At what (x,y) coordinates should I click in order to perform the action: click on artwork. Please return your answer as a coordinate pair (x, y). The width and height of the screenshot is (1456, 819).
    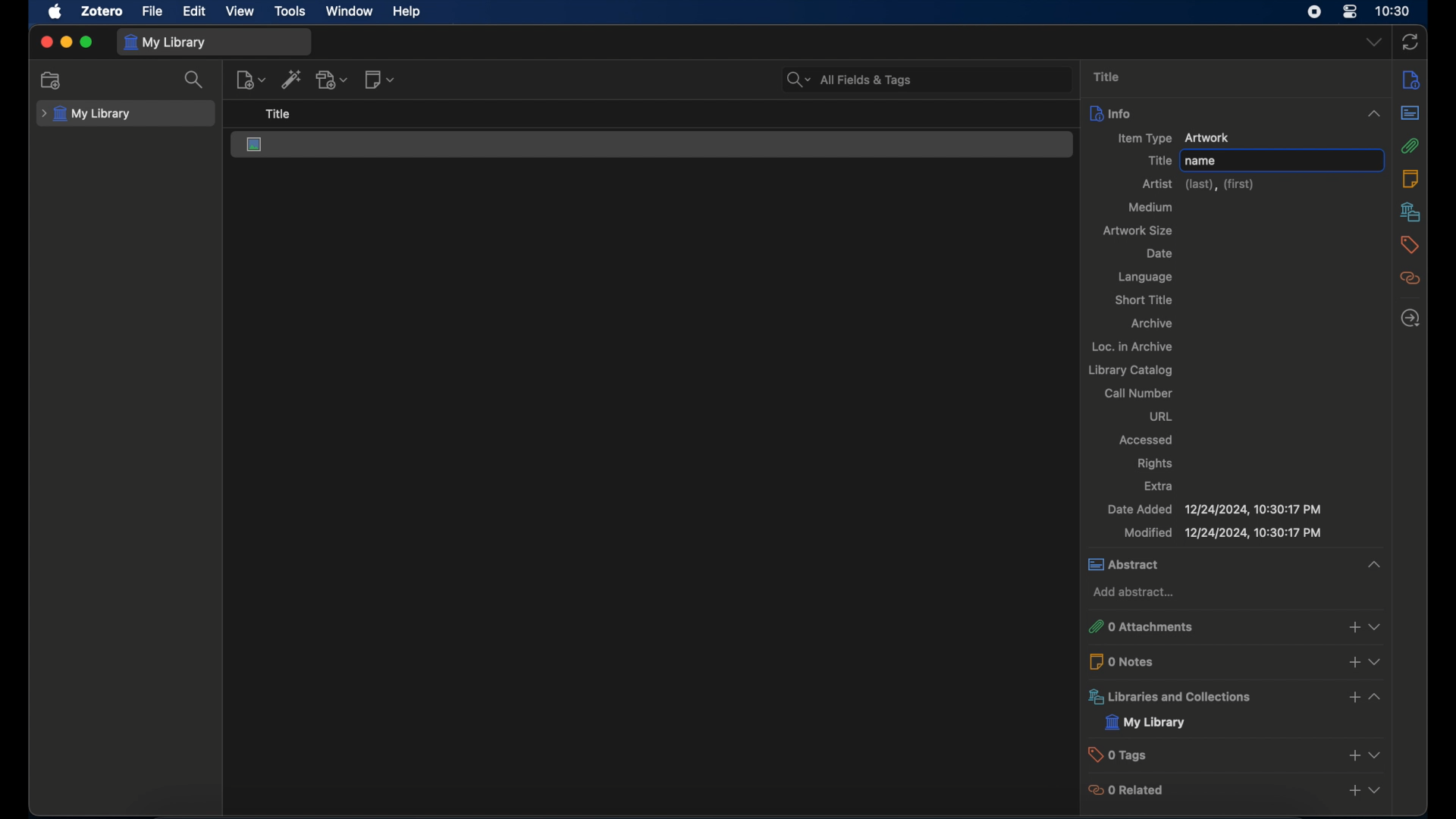
    Looking at the image, I should click on (255, 145).